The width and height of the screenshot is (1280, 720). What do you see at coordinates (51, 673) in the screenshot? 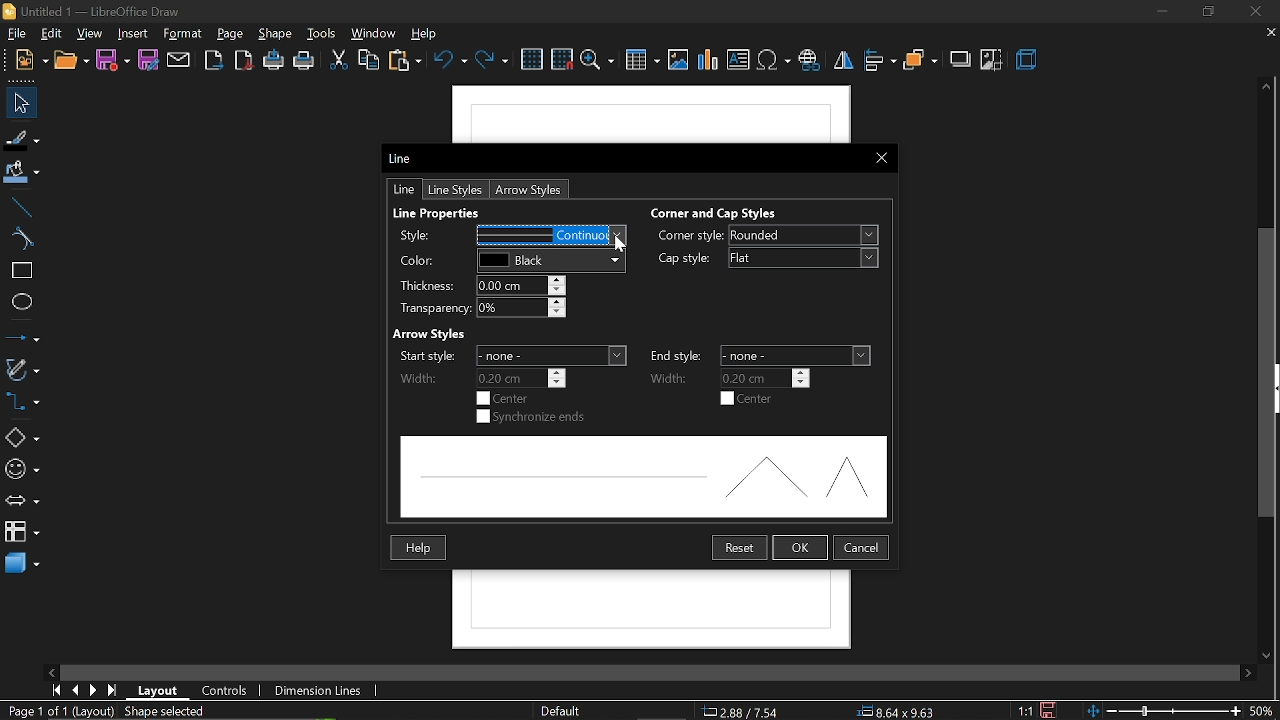
I see `move left` at bounding box center [51, 673].